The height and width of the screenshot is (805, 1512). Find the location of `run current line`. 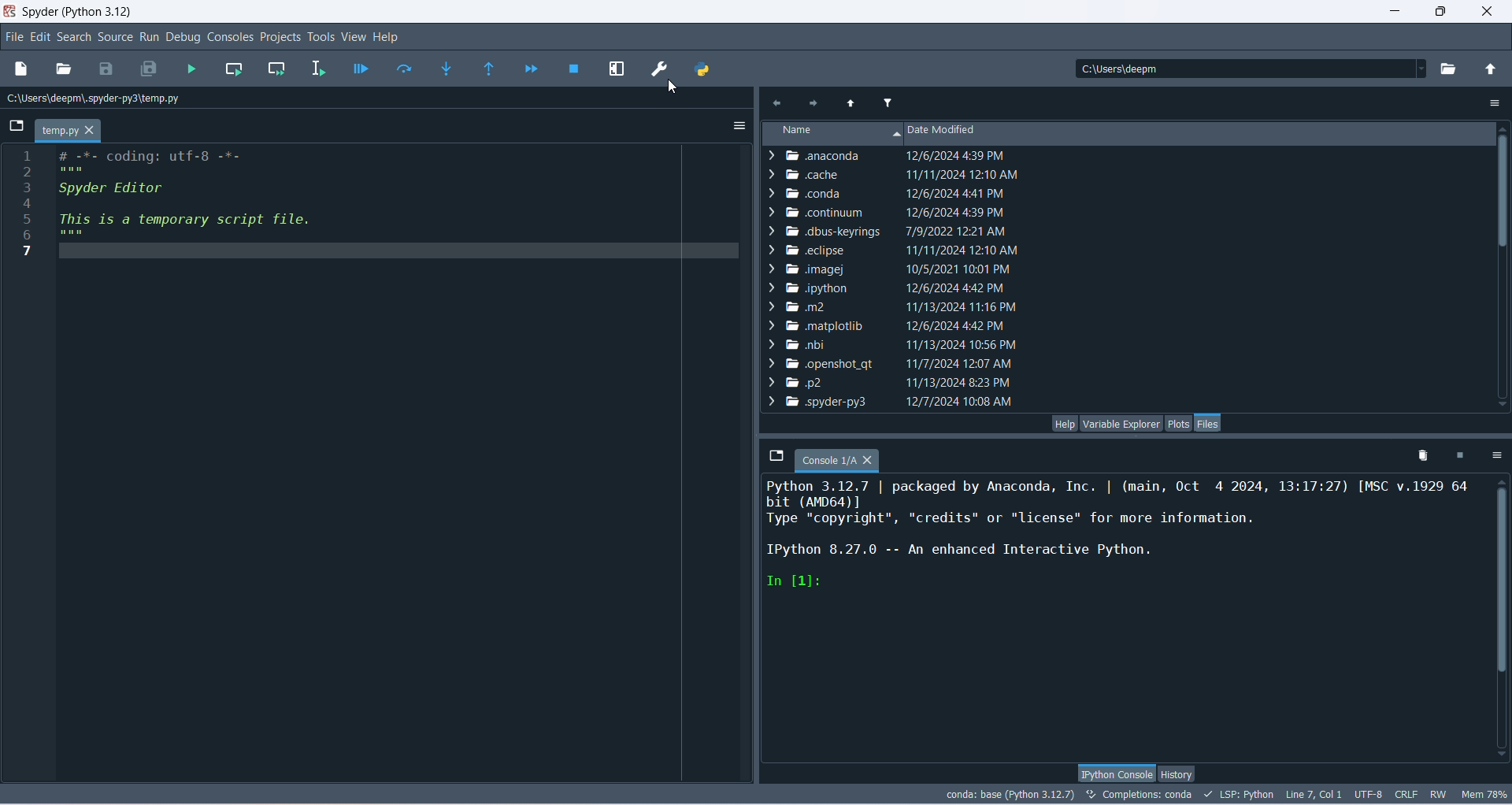

run current line is located at coordinates (405, 67).